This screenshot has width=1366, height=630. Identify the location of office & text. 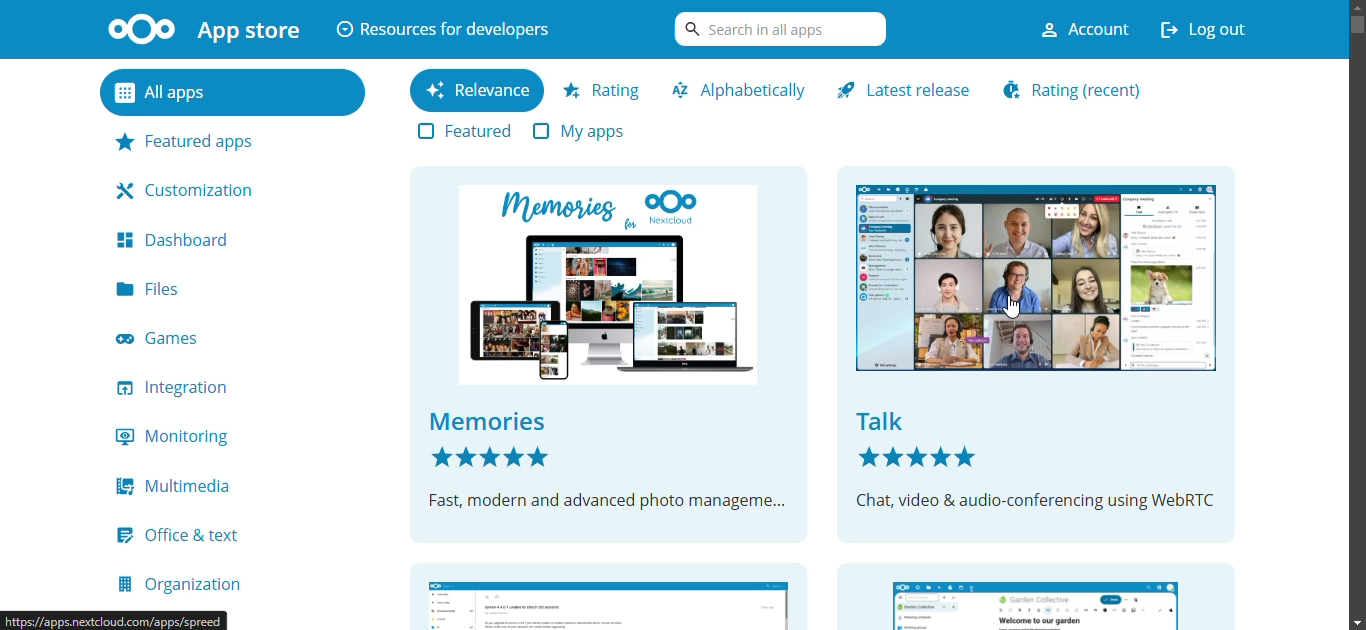
(189, 535).